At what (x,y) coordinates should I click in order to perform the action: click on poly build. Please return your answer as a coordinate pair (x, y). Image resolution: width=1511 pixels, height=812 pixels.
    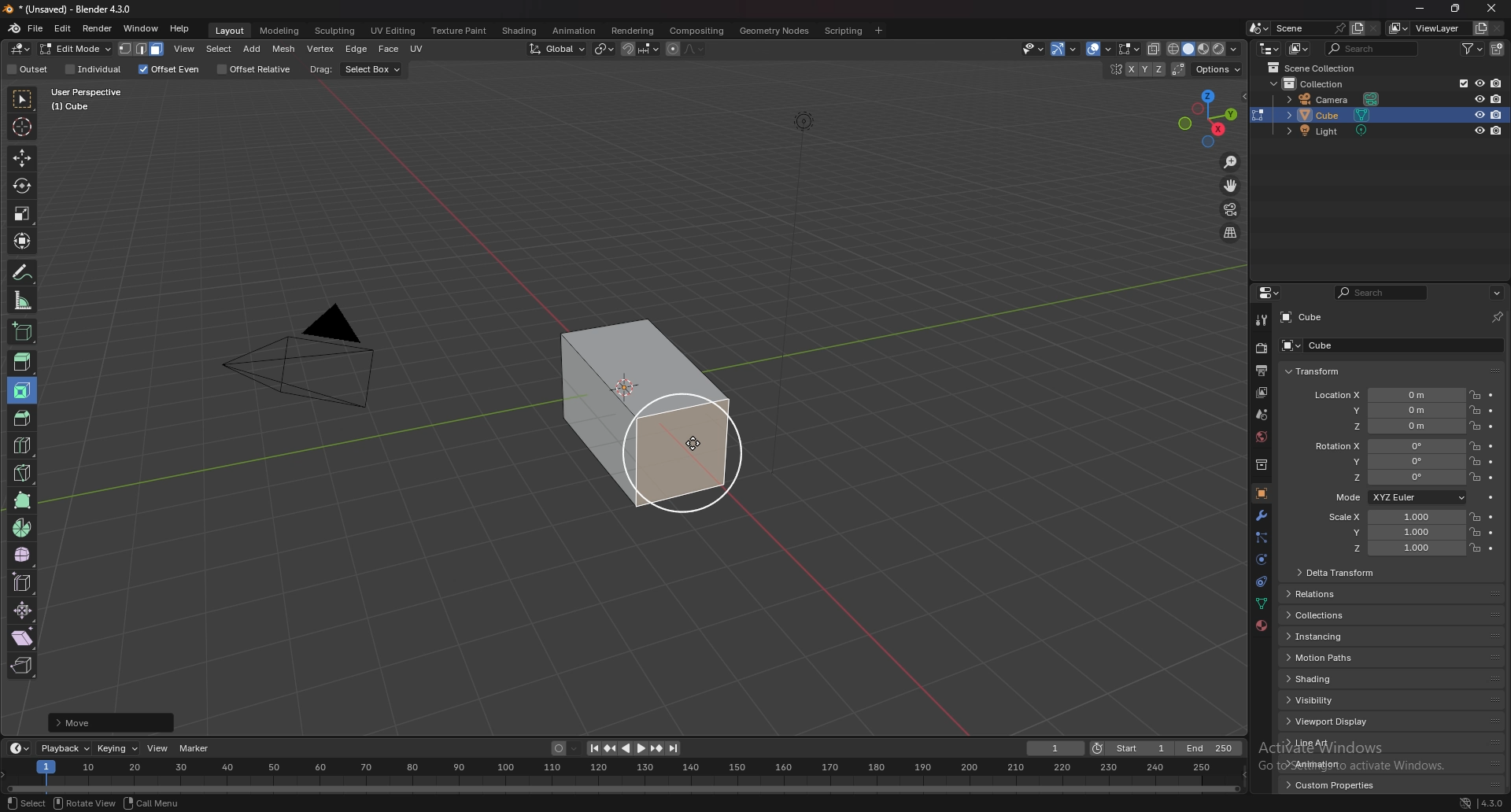
    Looking at the image, I should click on (24, 500).